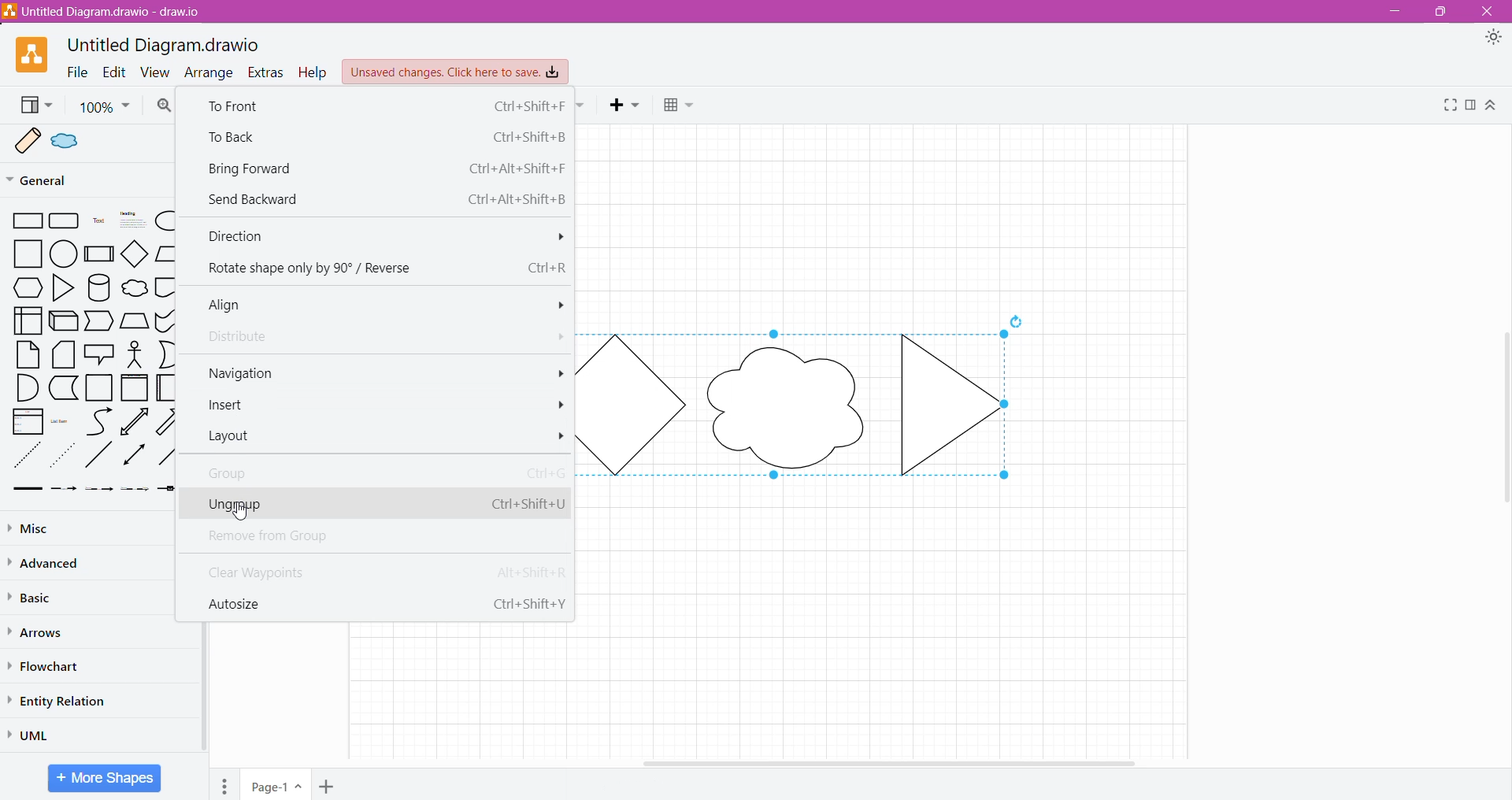 This screenshot has height=800, width=1512. What do you see at coordinates (389, 199) in the screenshot?
I see `Send Backward Ctrl+Alt+Shift+B` at bounding box center [389, 199].